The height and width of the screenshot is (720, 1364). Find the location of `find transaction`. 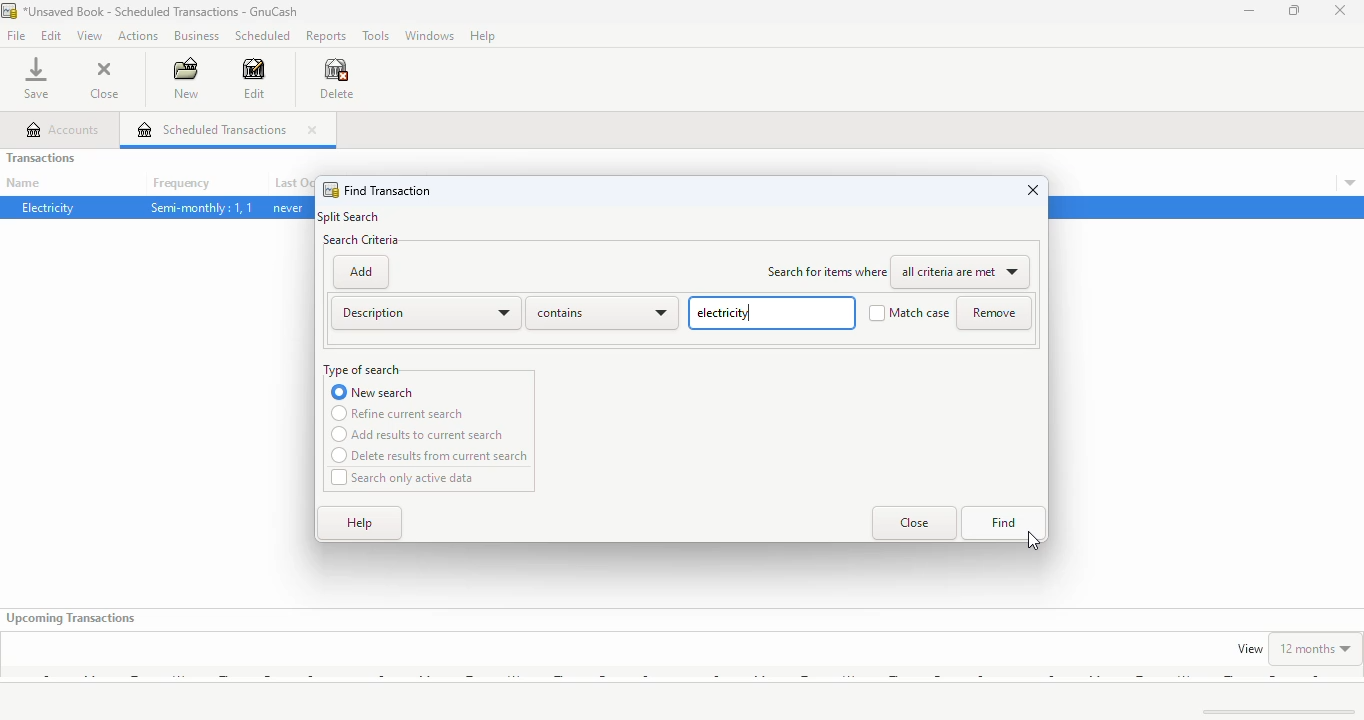

find transaction is located at coordinates (388, 191).